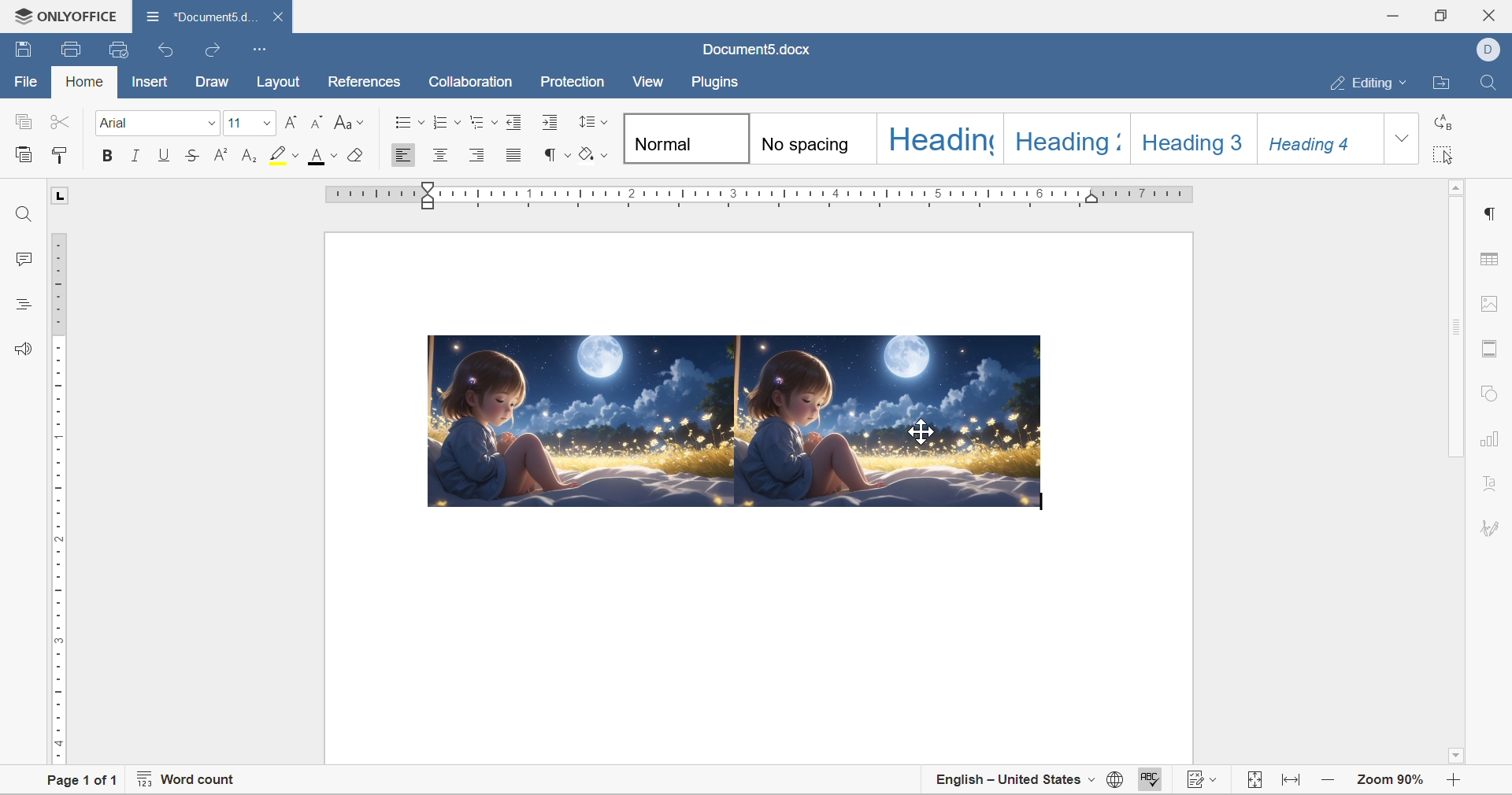 The image size is (1512, 795). I want to click on zoom in, so click(1329, 781).